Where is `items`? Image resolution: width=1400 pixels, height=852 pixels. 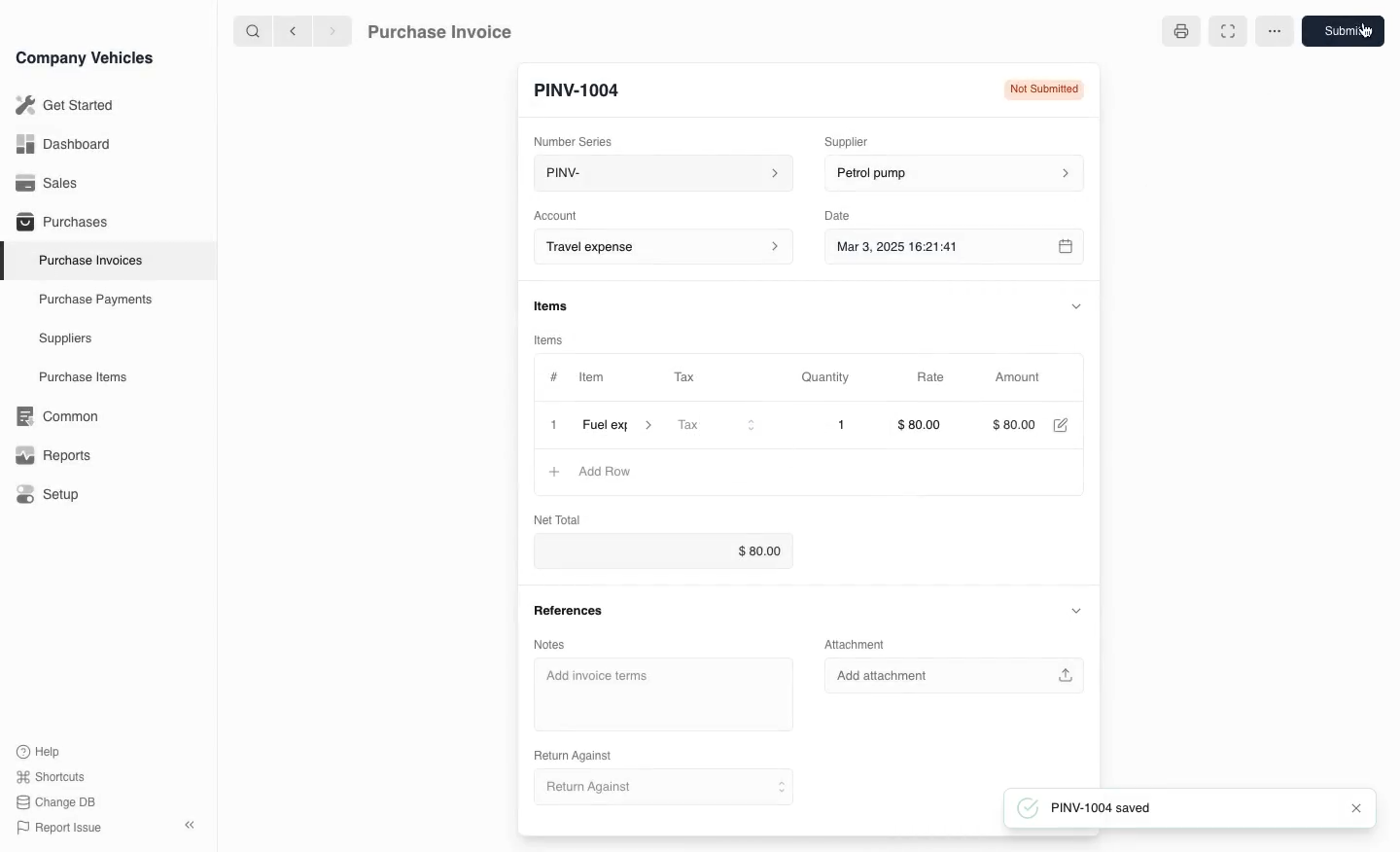
items is located at coordinates (553, 307).